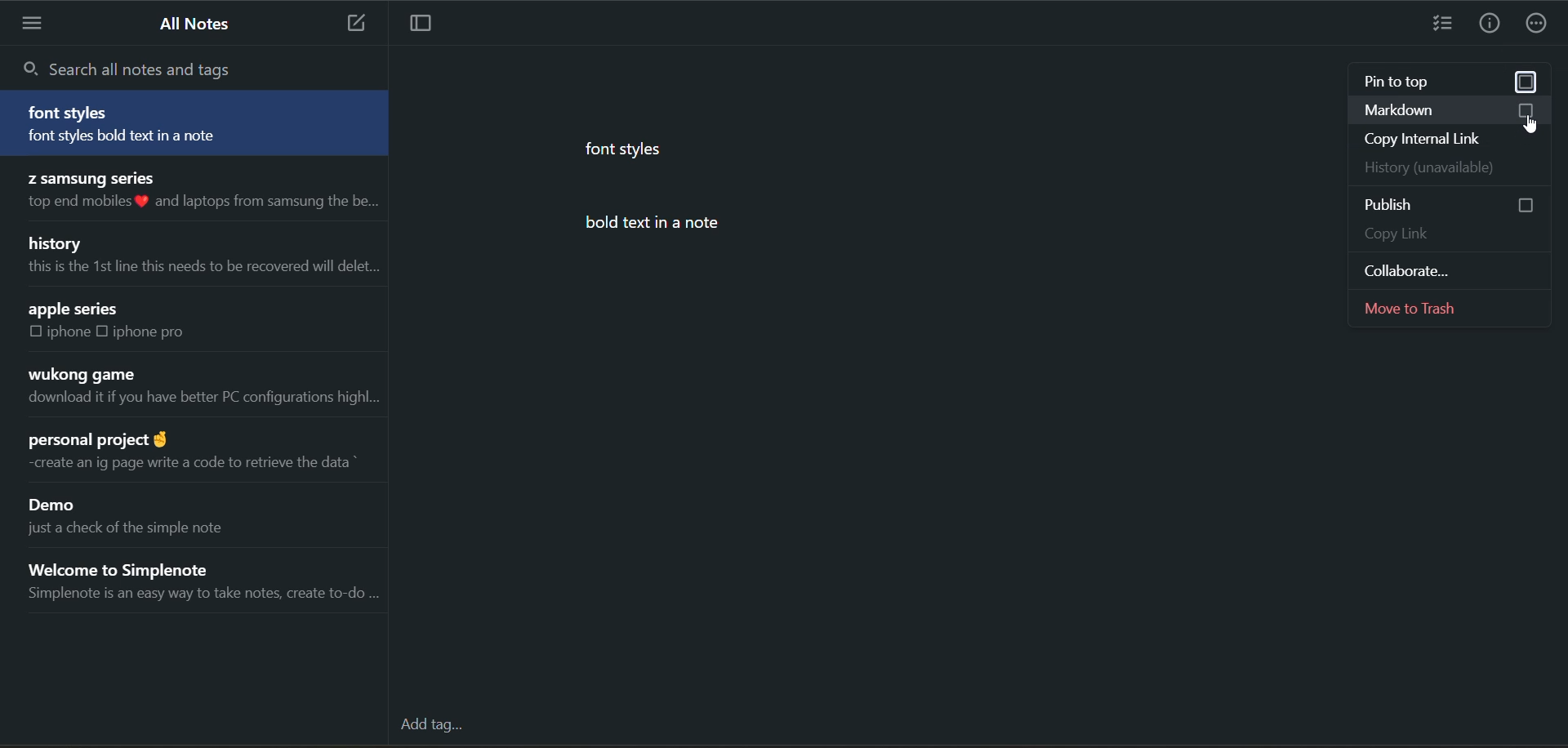 The width and height of the screenshot is (1568, 748). Describe the element at coordinates (143, 566) in the screenshot. I see `Welcome to Simplenote` at that location.